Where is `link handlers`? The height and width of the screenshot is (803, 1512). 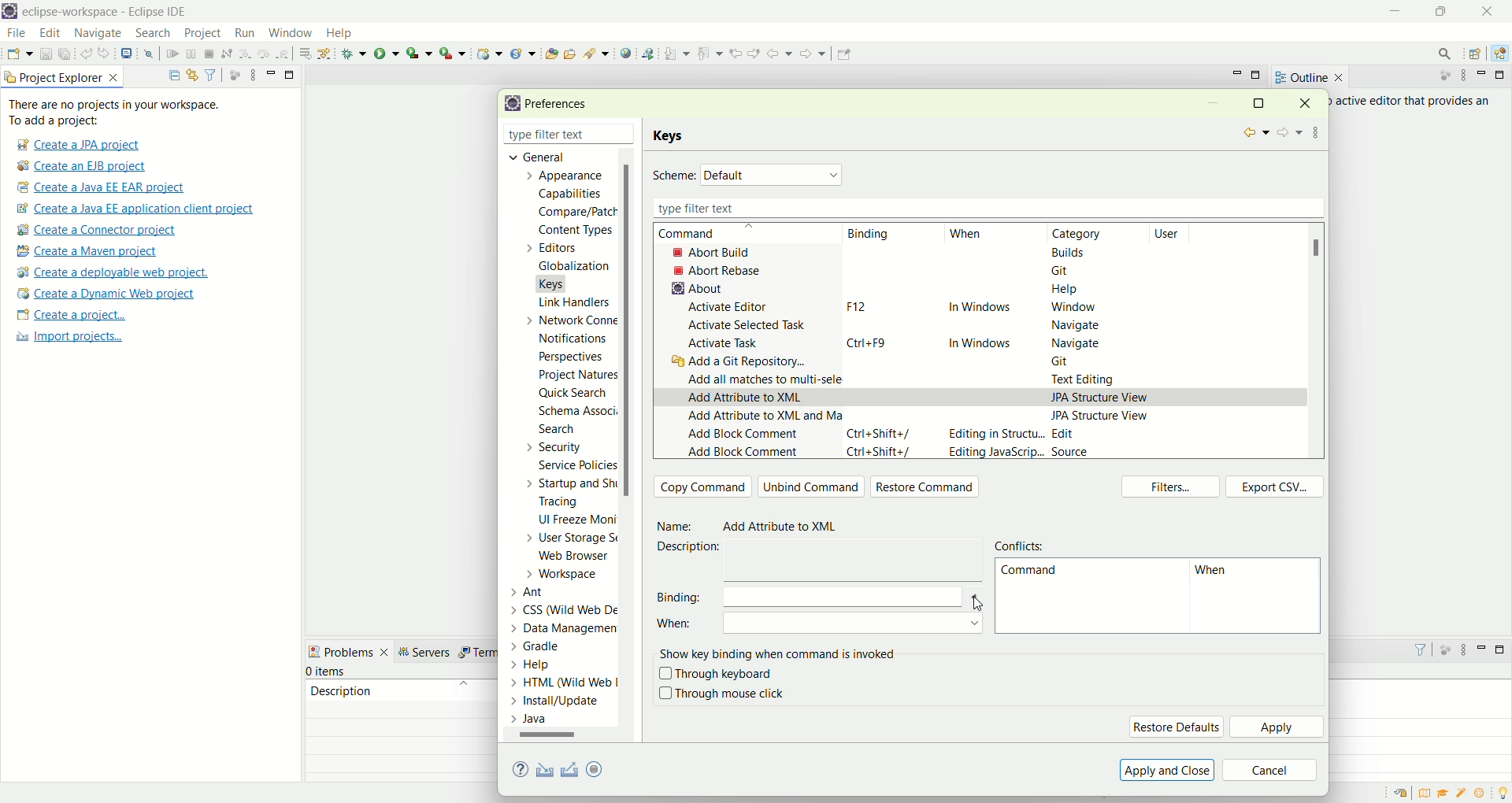 link handlers is located at coordinates (573, 302).